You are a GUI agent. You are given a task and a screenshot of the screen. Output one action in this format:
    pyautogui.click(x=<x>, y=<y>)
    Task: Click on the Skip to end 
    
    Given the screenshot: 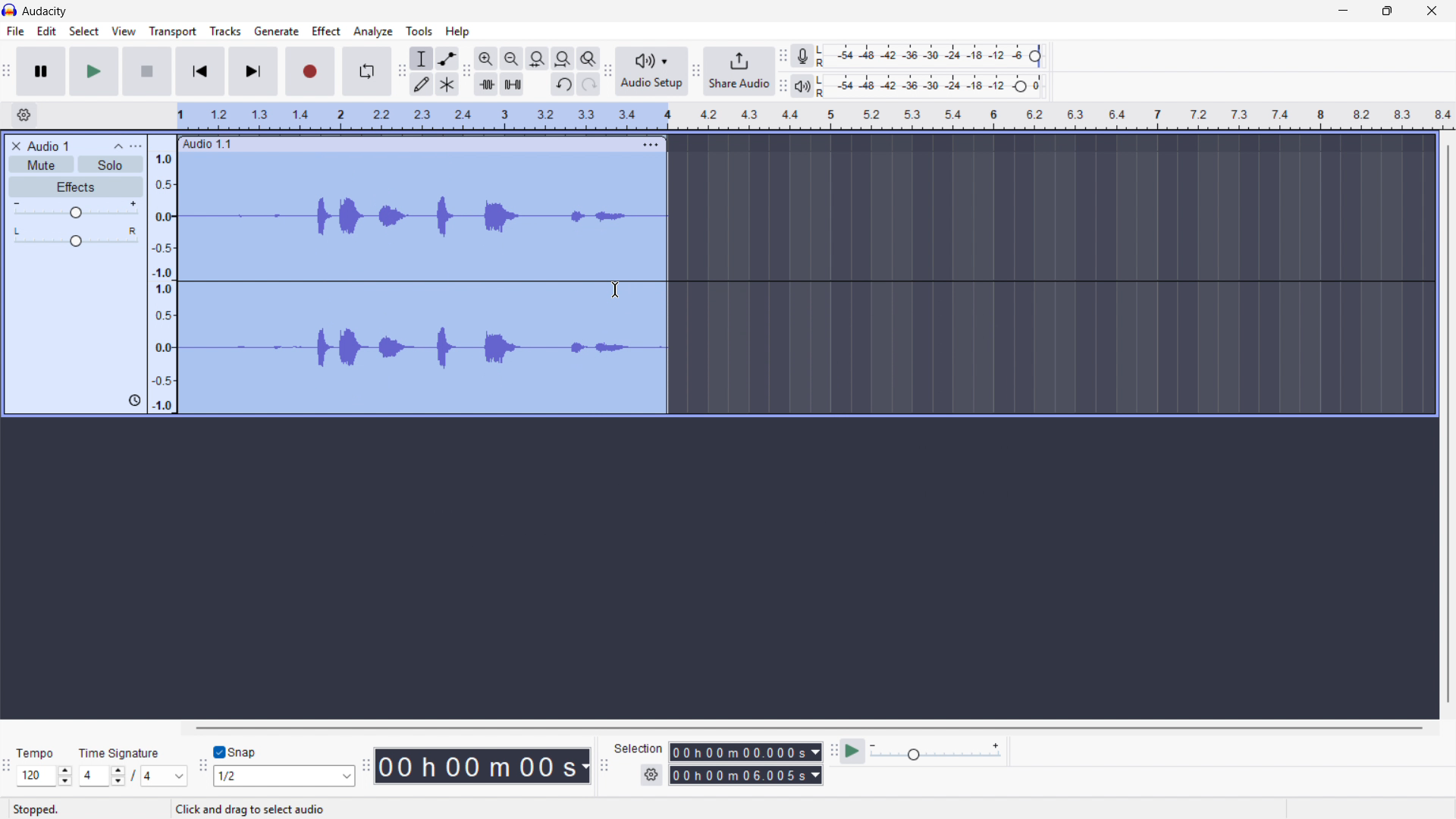 What is the action you would take?
    pyautogui.click(x=254, y=71)
    